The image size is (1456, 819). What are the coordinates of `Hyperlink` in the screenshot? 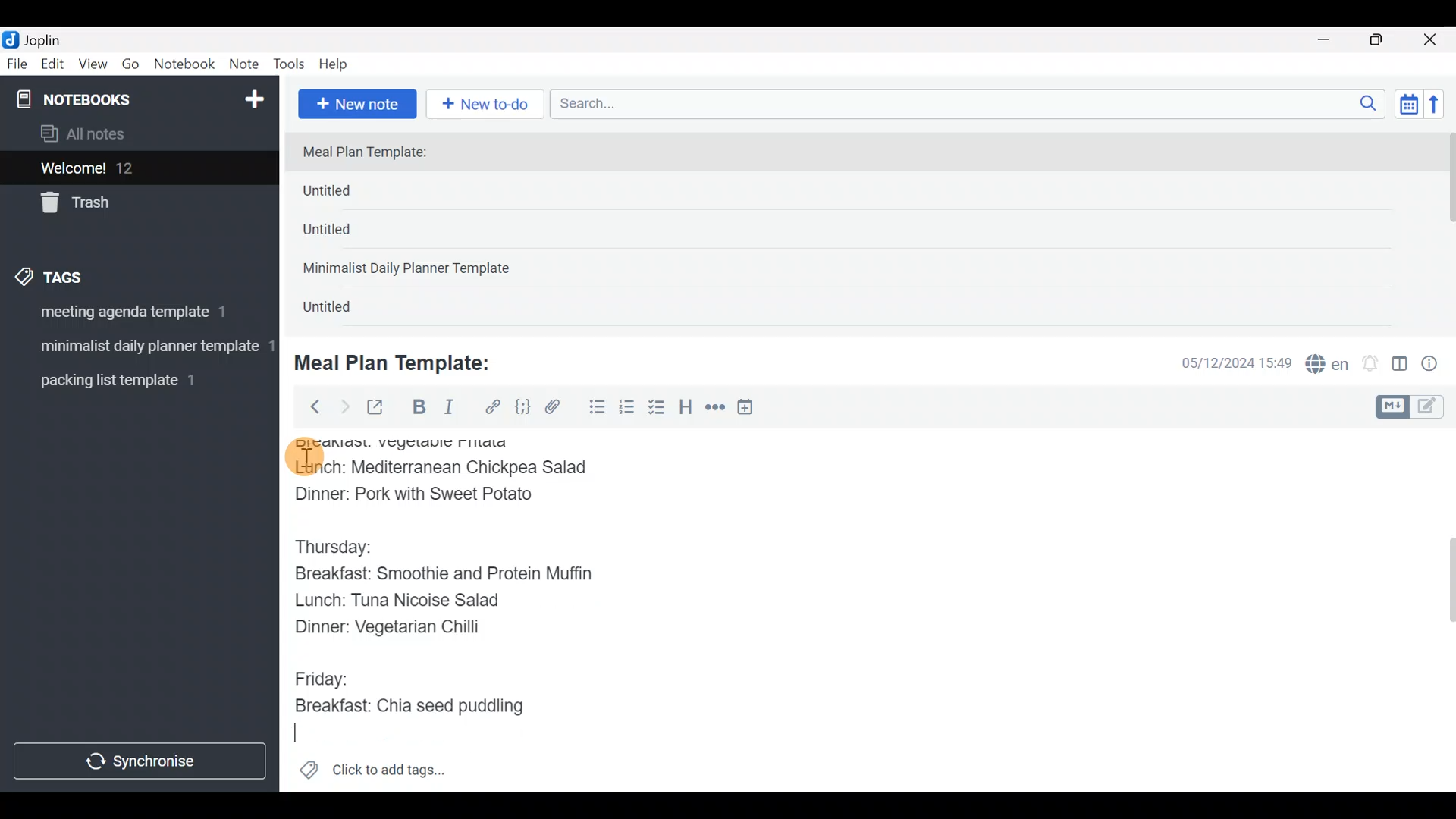 It's located at (493, 407).